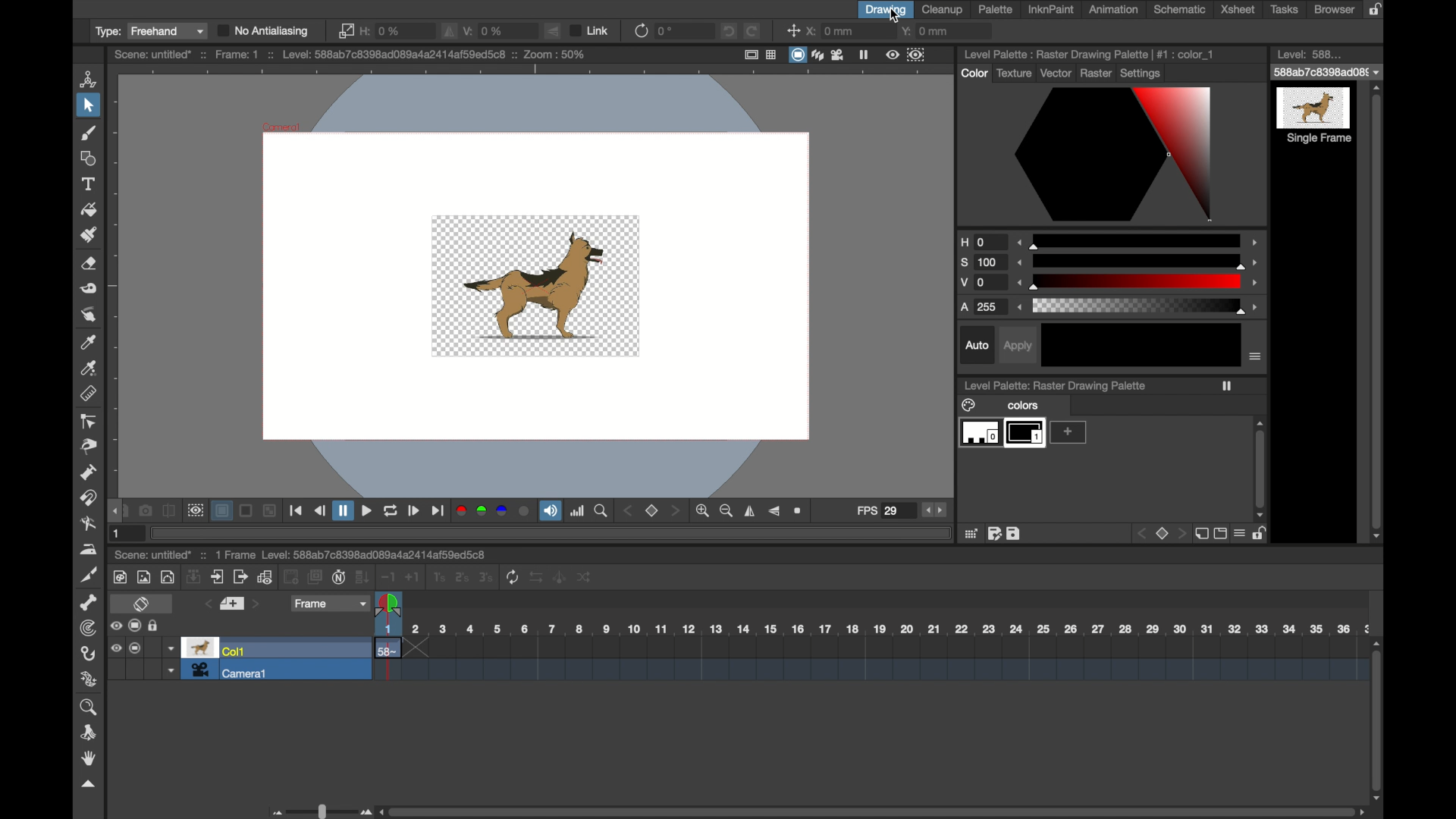 This screenshot has height=819, width=1456. Describe the element at coordinates (800, 511) in the screenshot. I see `zoom` at that location.